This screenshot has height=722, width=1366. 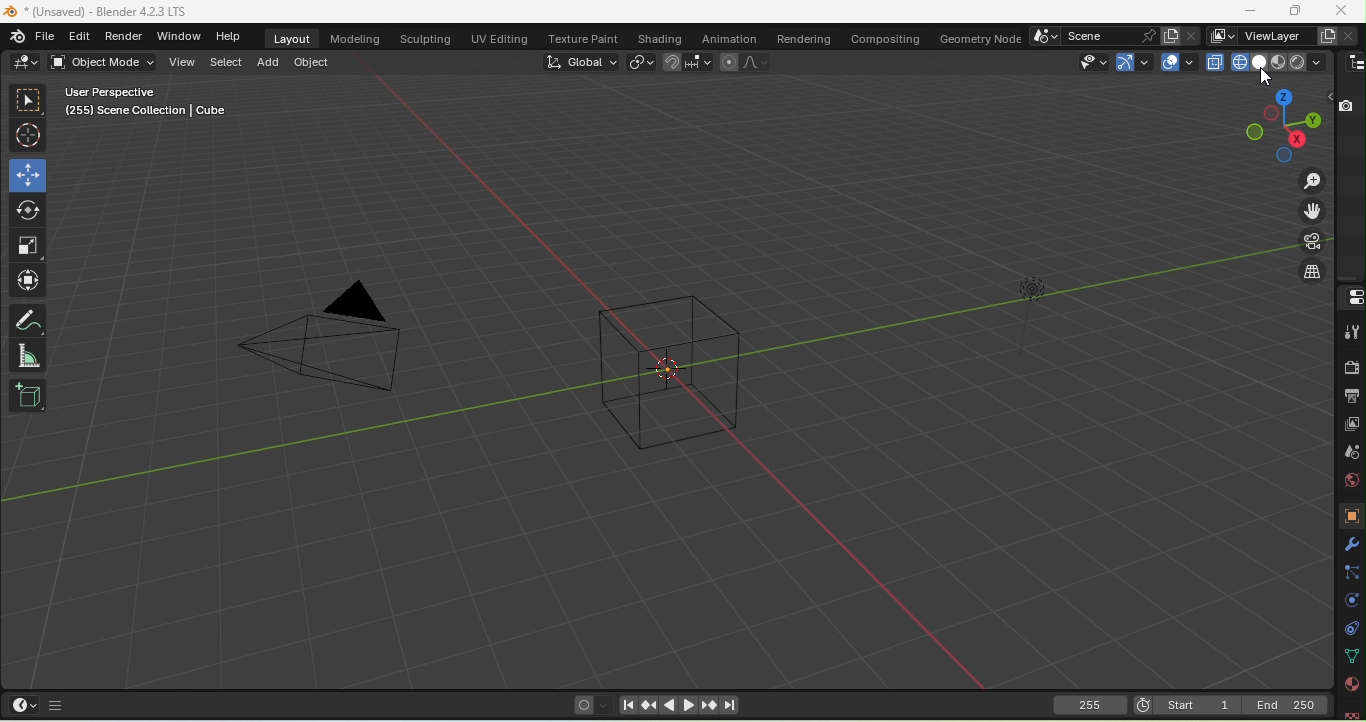 What do you see at coordinates (1147, 36) in the screenshot?
I see `Pin scene to workspace` at bounding box center [1147, 36].